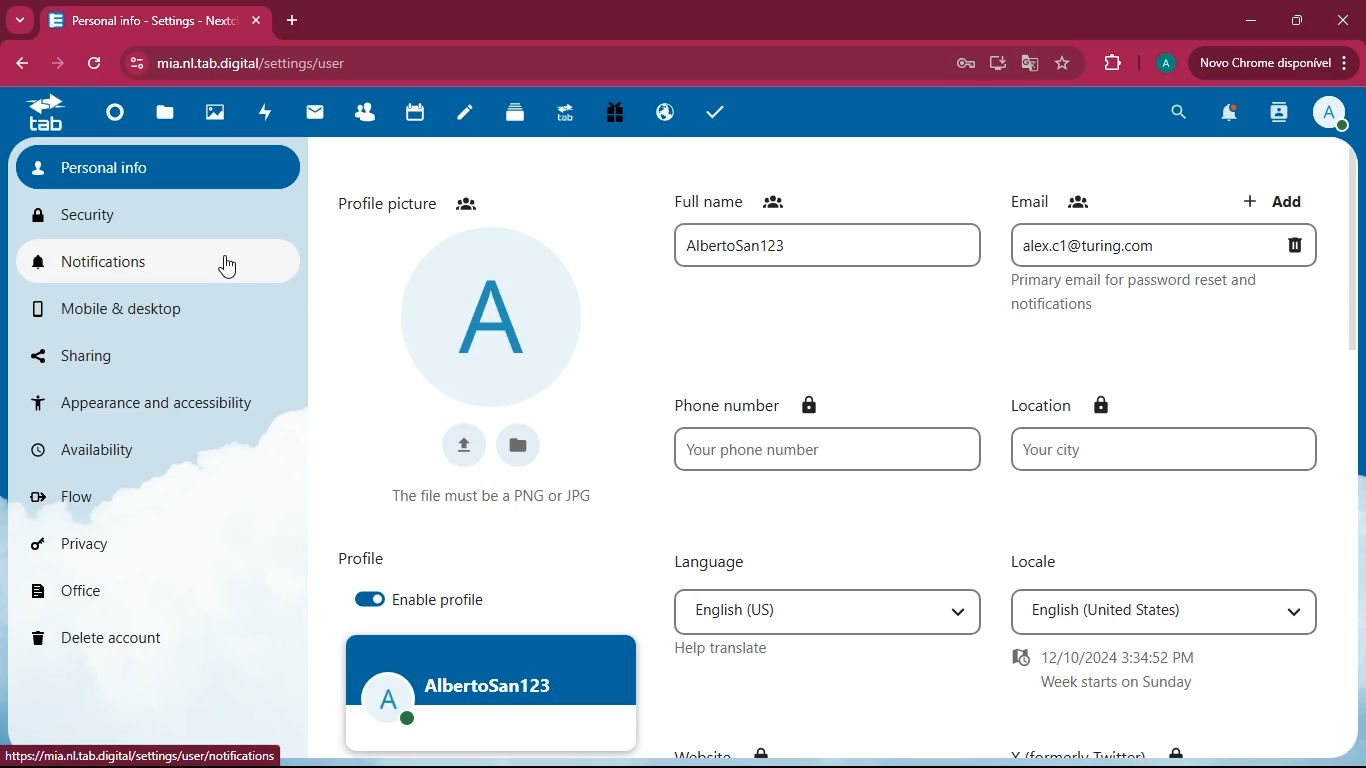 This screenshot has width=1366, height=768. Describe the element at coordinates (231, 266) in the screenshot. I see `cursor` at that location.